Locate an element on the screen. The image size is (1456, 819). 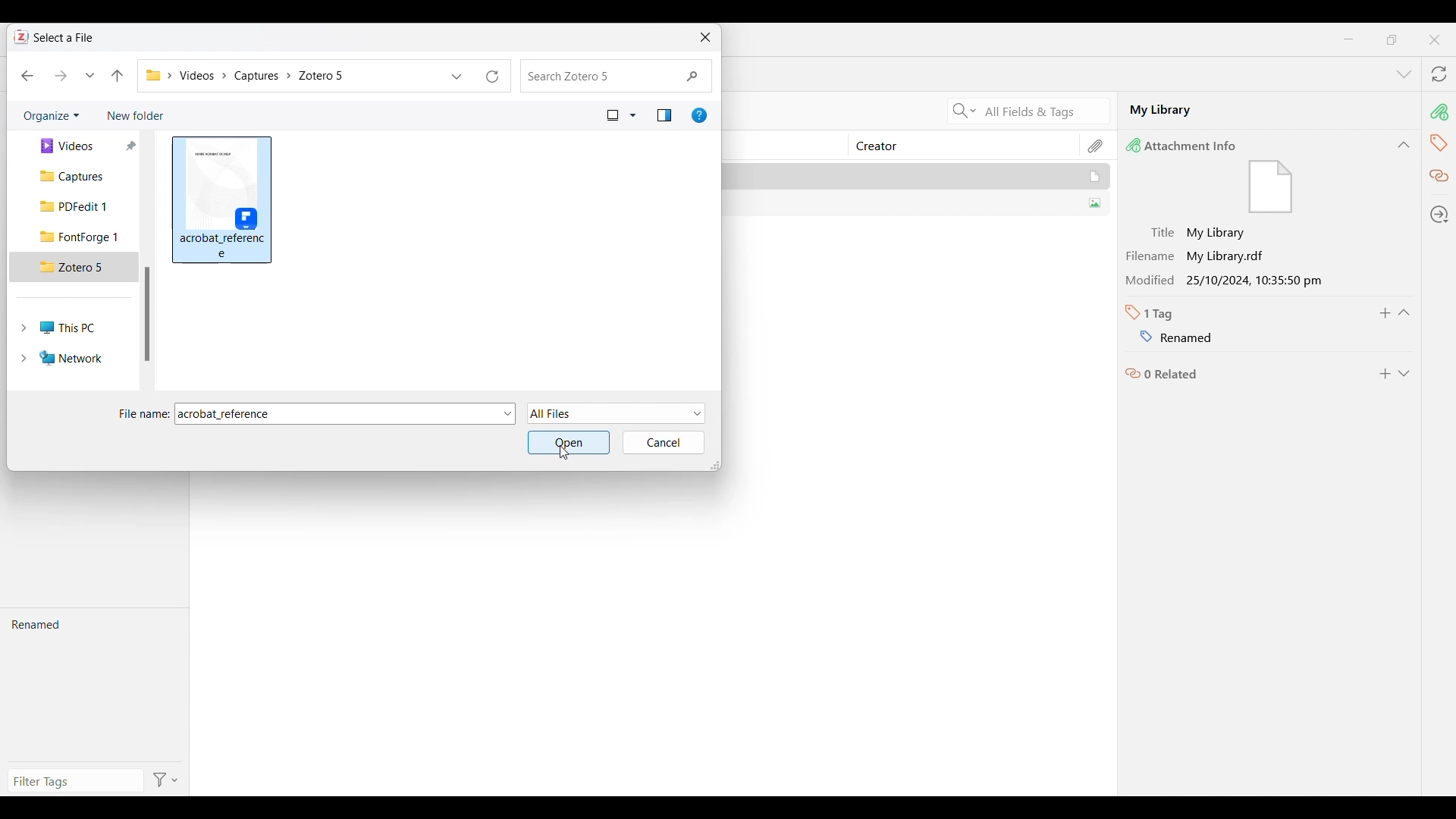
Attachment Info is located at coordinates (1188, 146).